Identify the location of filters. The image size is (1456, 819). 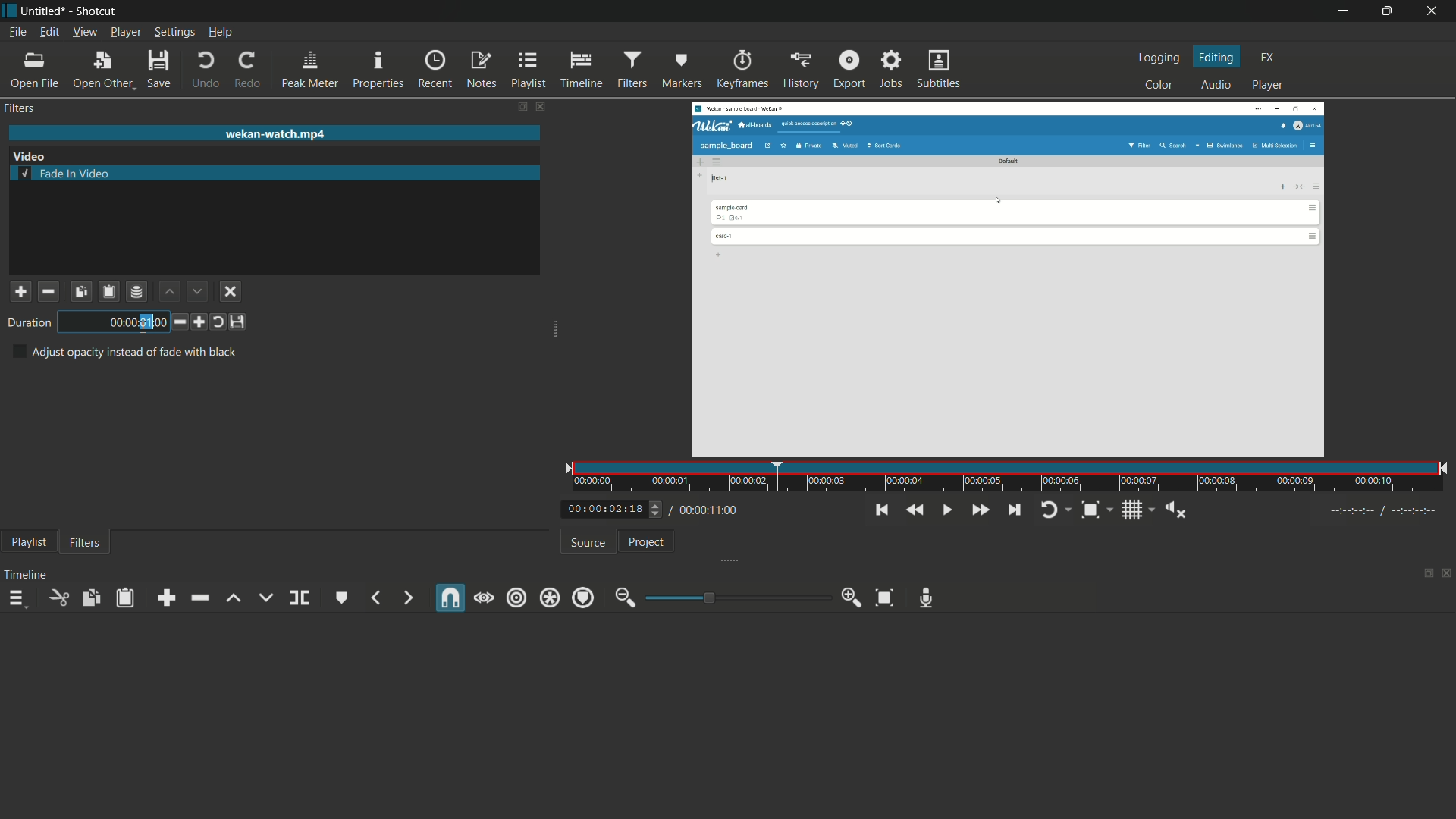
(631, 69).